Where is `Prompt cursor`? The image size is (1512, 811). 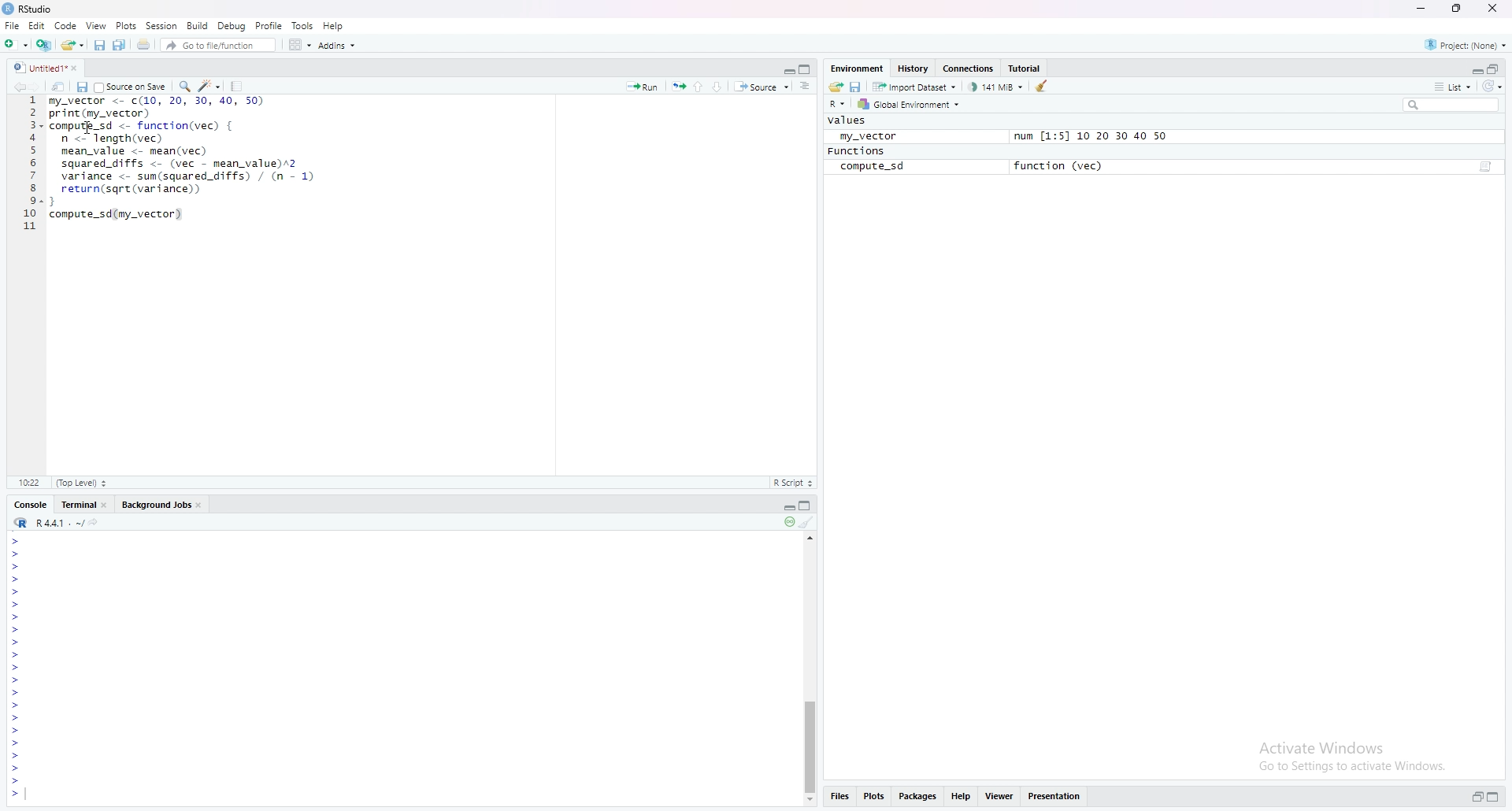
Prompt cursor is located at coordinates (17, 579).